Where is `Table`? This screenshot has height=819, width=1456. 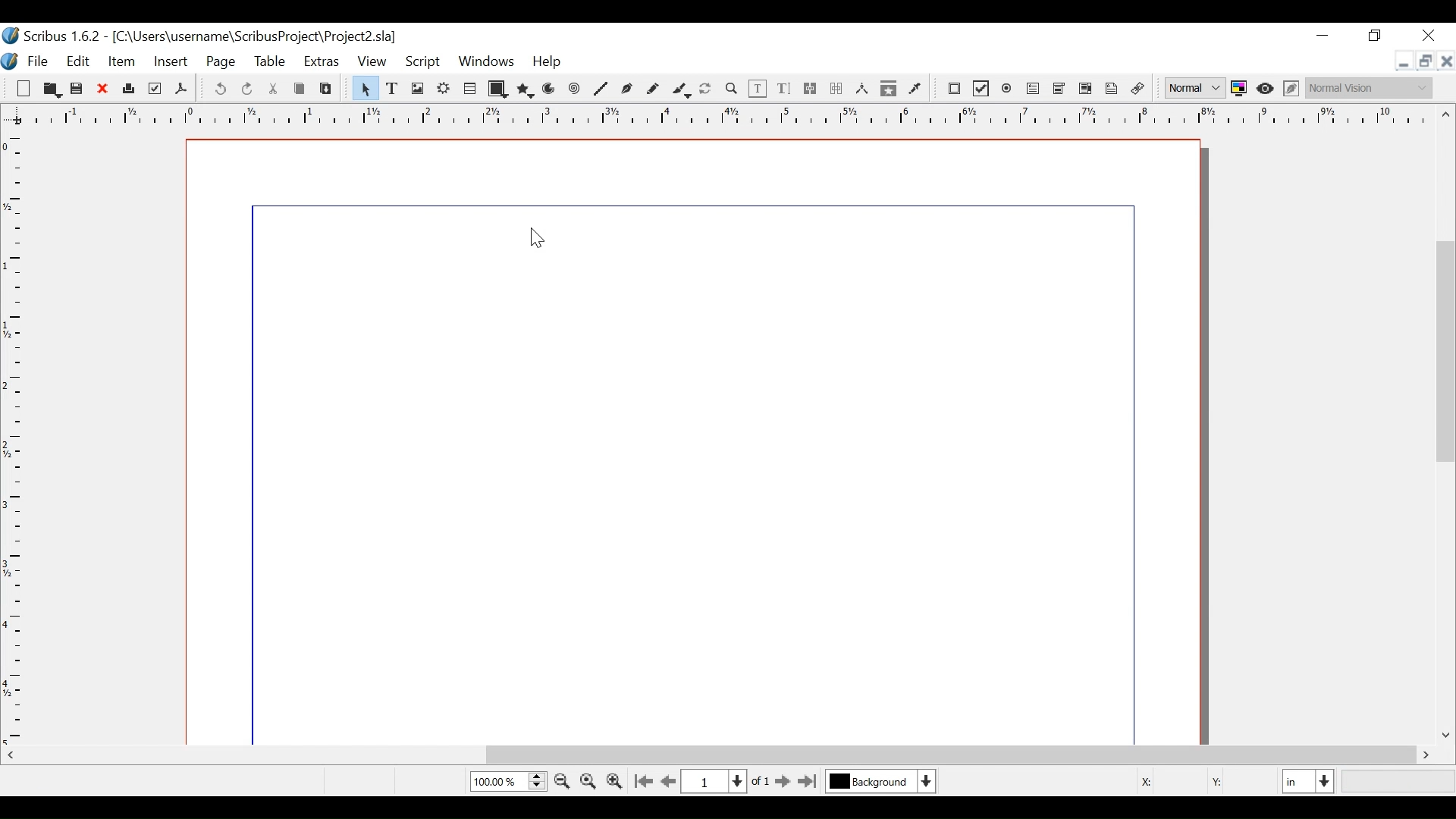
Table is located at coordinates (268, 62).